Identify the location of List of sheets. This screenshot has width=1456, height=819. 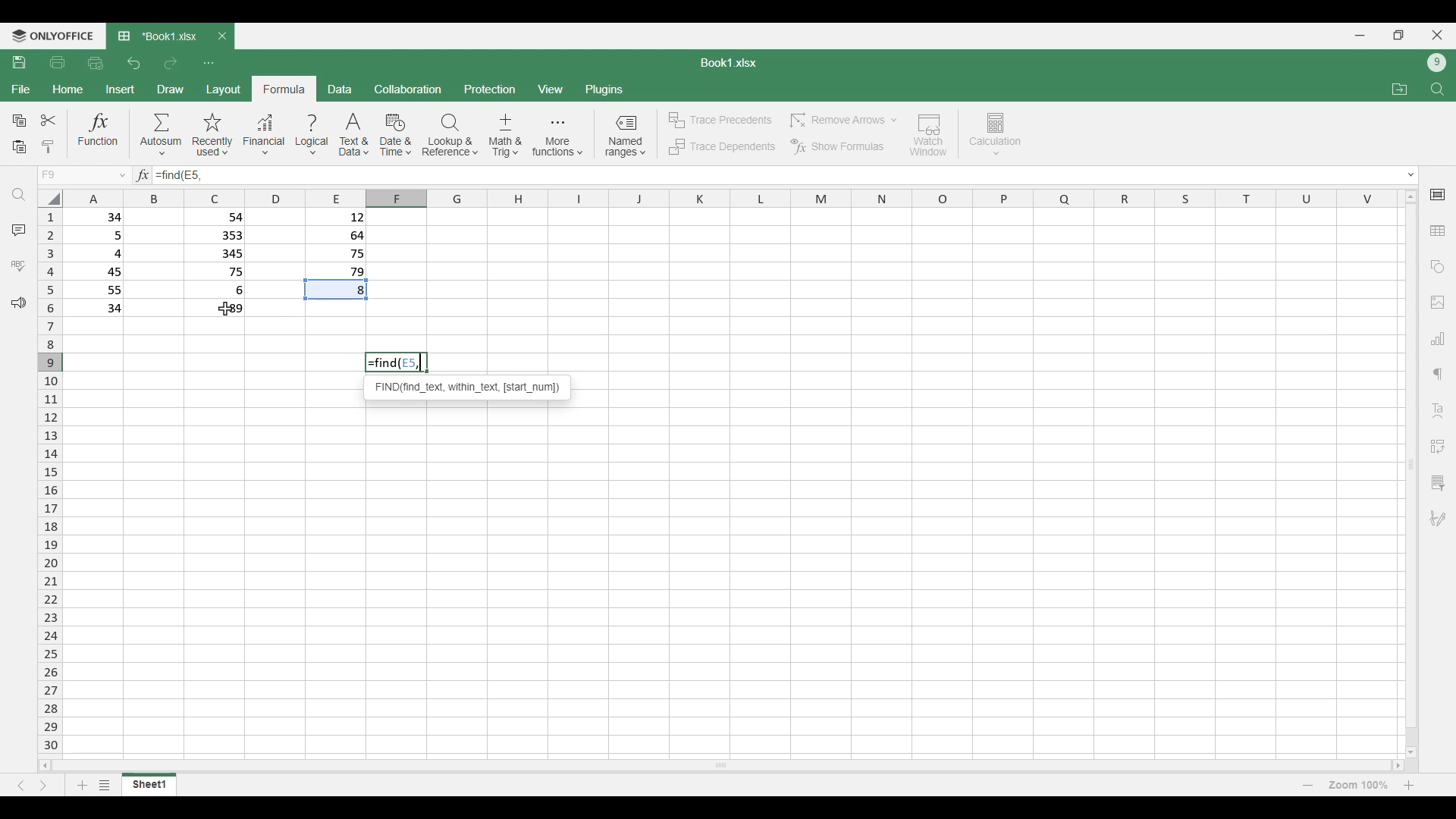
(105, 785).